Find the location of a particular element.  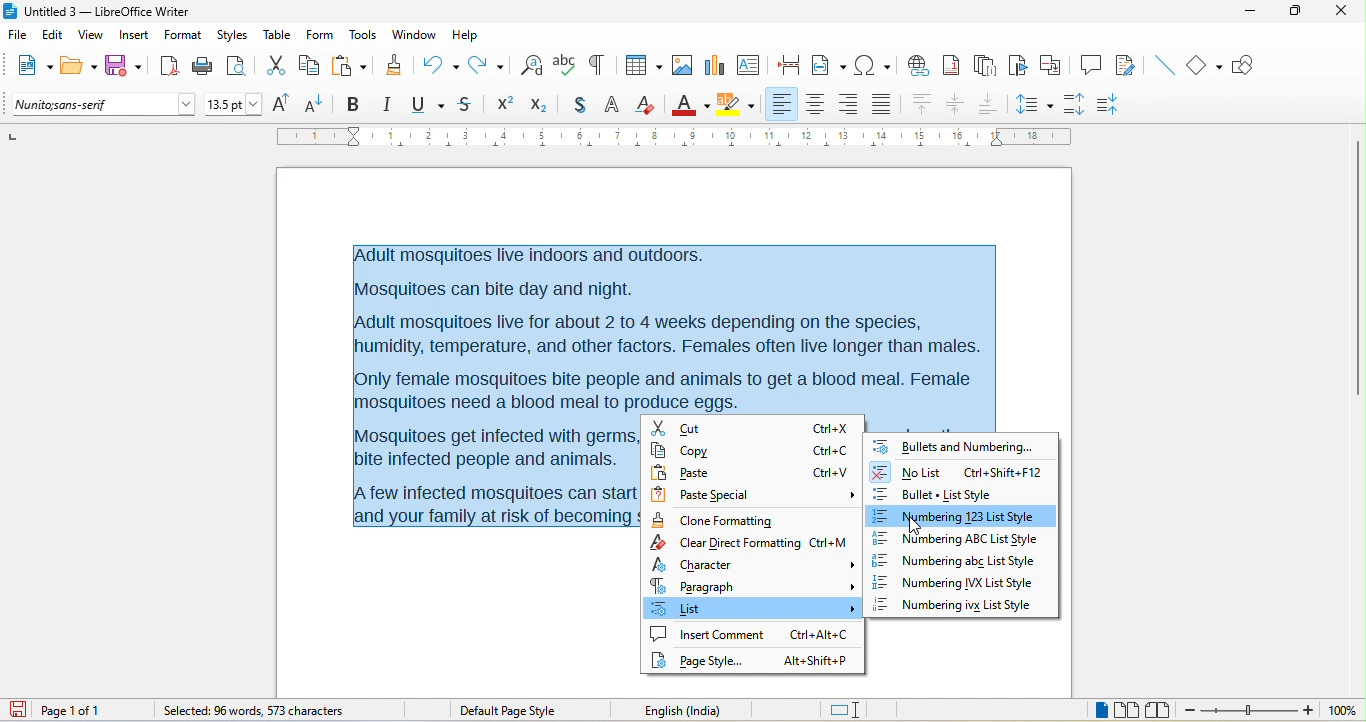

table is located at coordinates (278, 36).